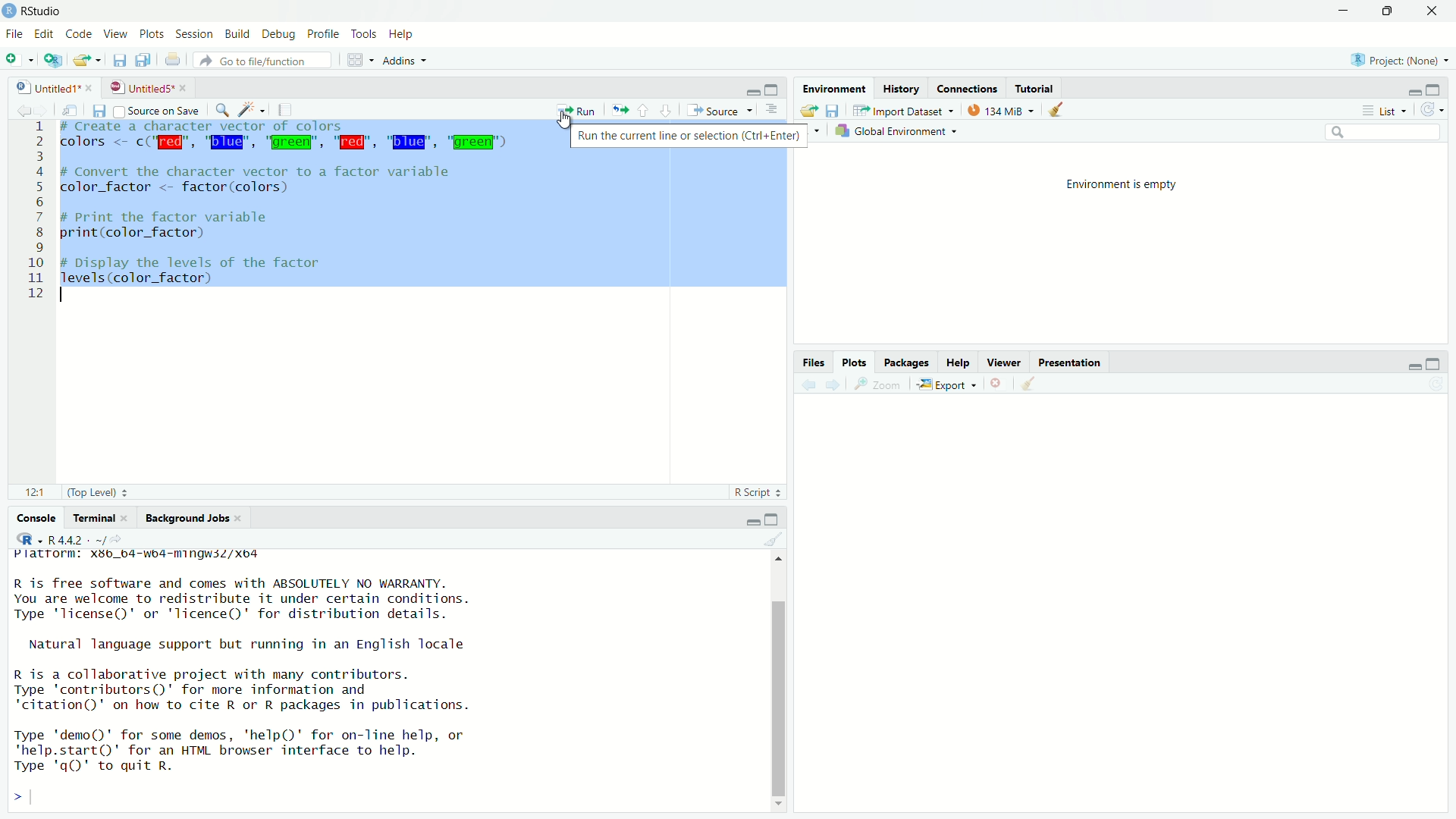 This screenshot has height=819, width=1456. I want to click on clear console, so click(773, 539).